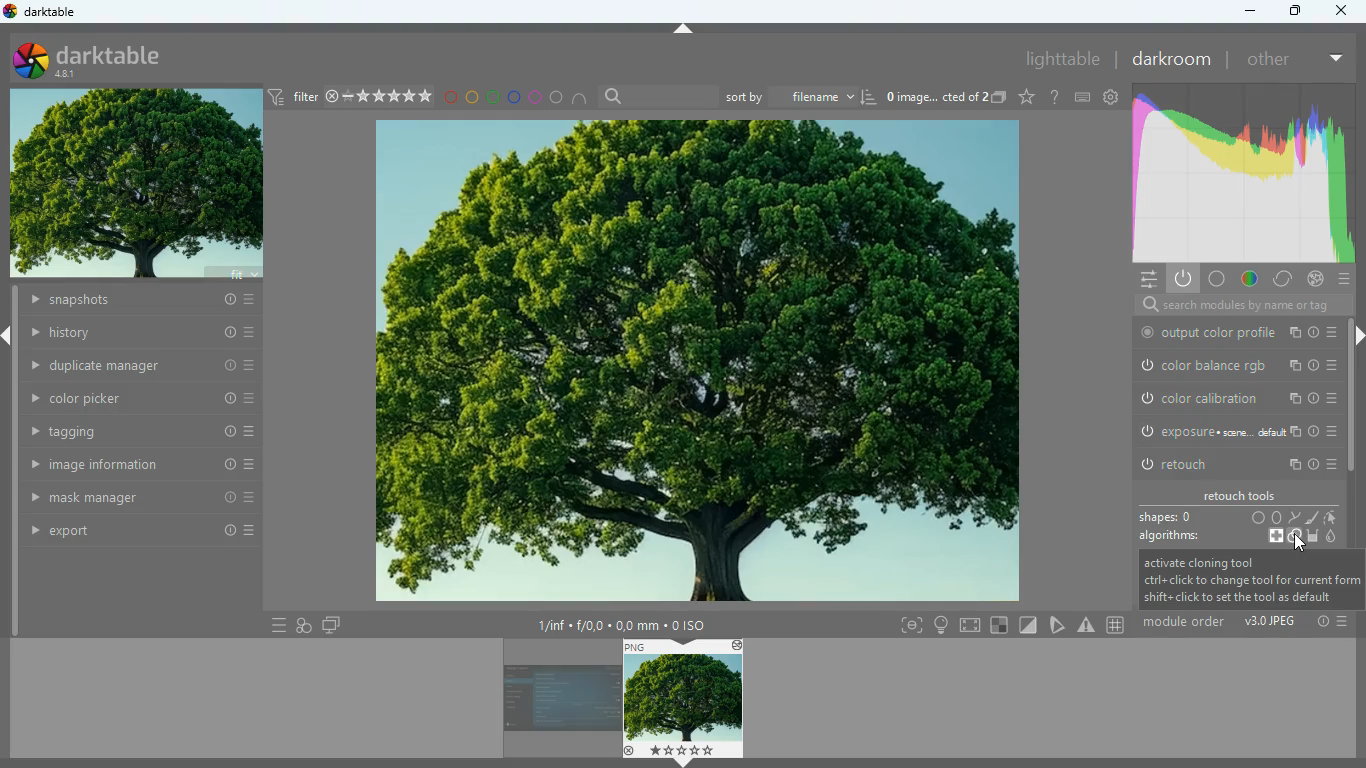 Image resolution: width=1366 pixels, height=768 pixels. Describe the element at coordinates (1233, 334) in the screenshot. I see `output color` at that location.